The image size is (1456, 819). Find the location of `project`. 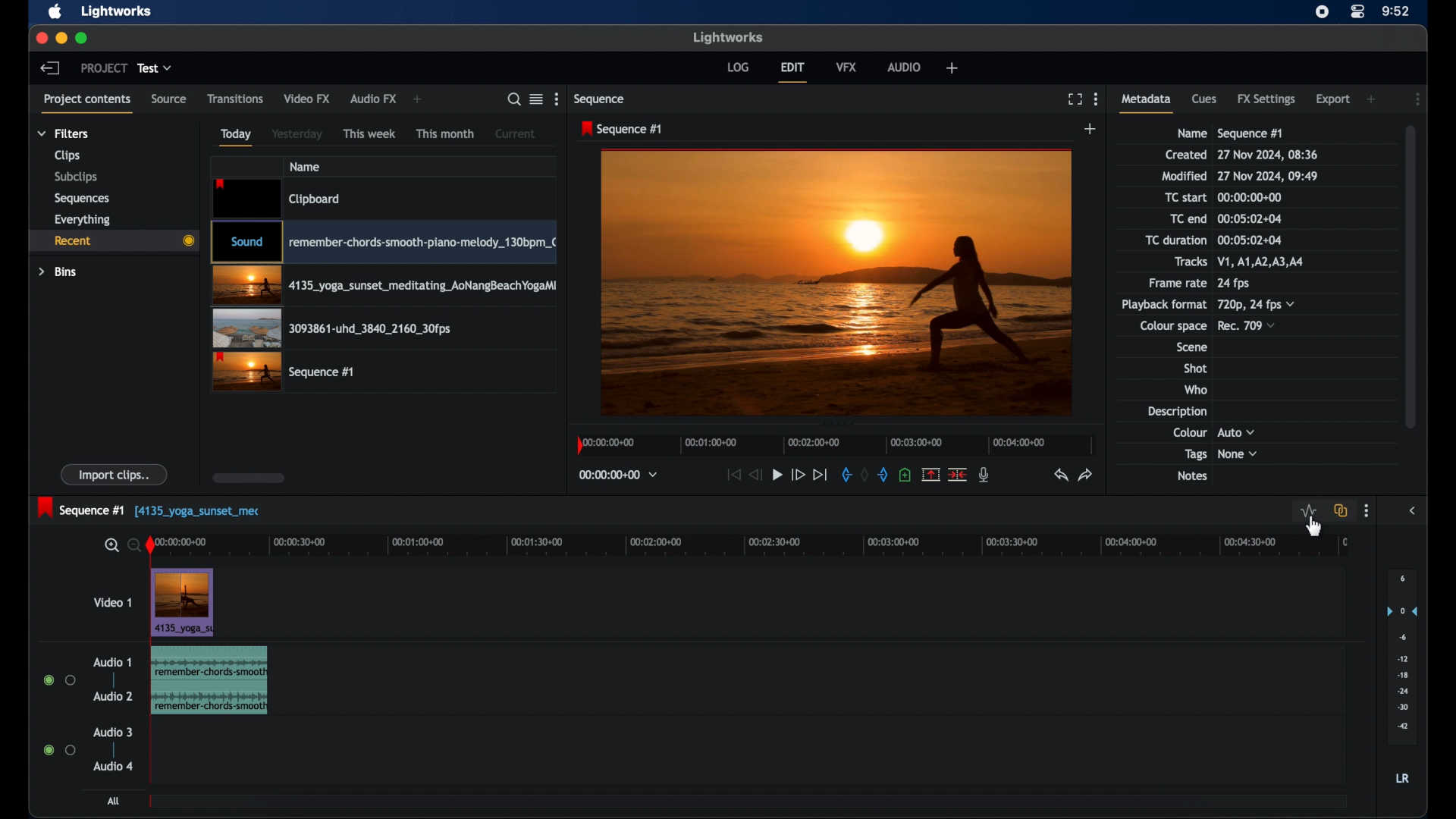

project is located at coordinates (103, 67).